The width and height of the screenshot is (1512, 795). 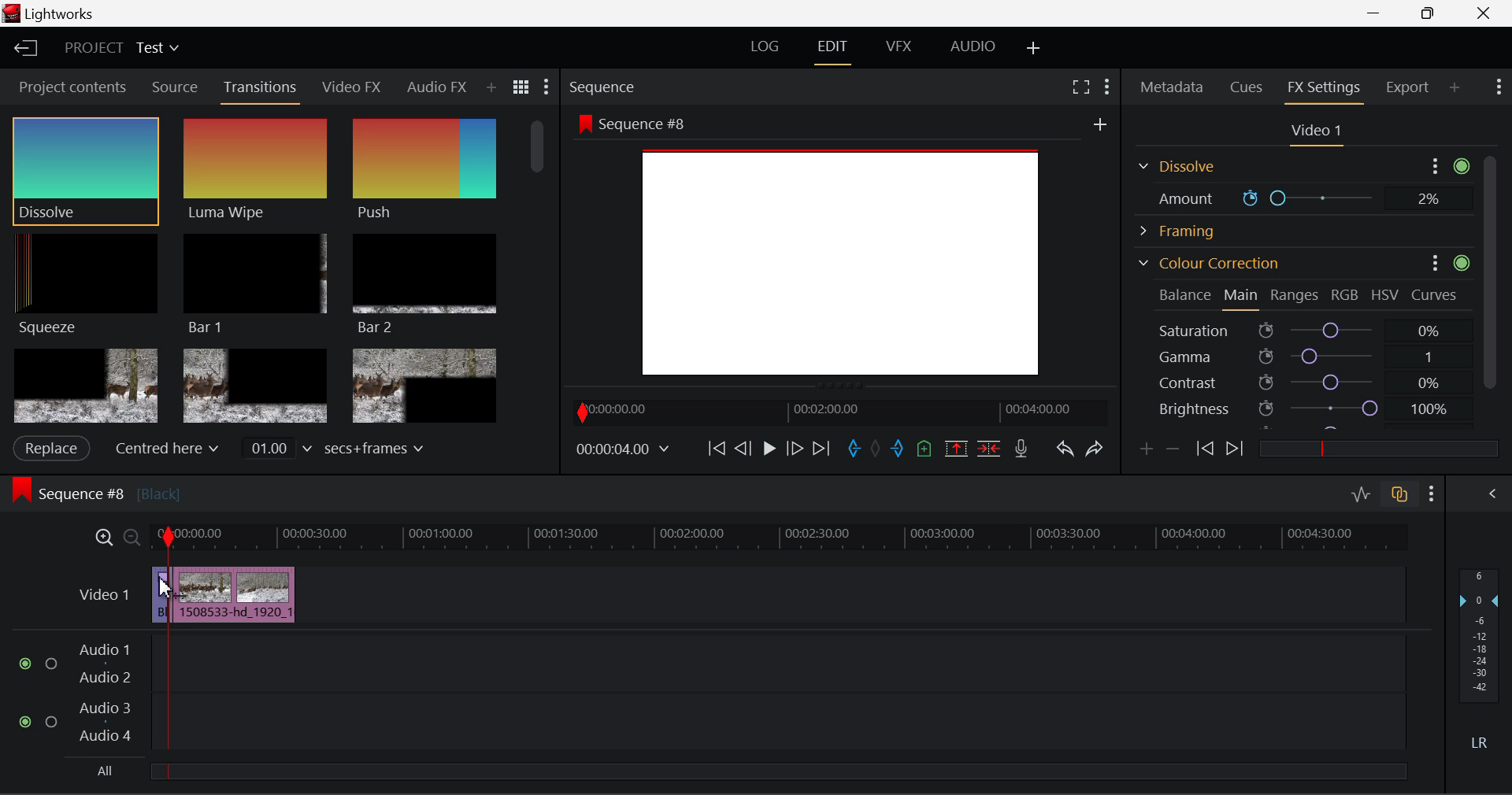 I want to click on Vertical scroll, so click(x=1493, y=272).